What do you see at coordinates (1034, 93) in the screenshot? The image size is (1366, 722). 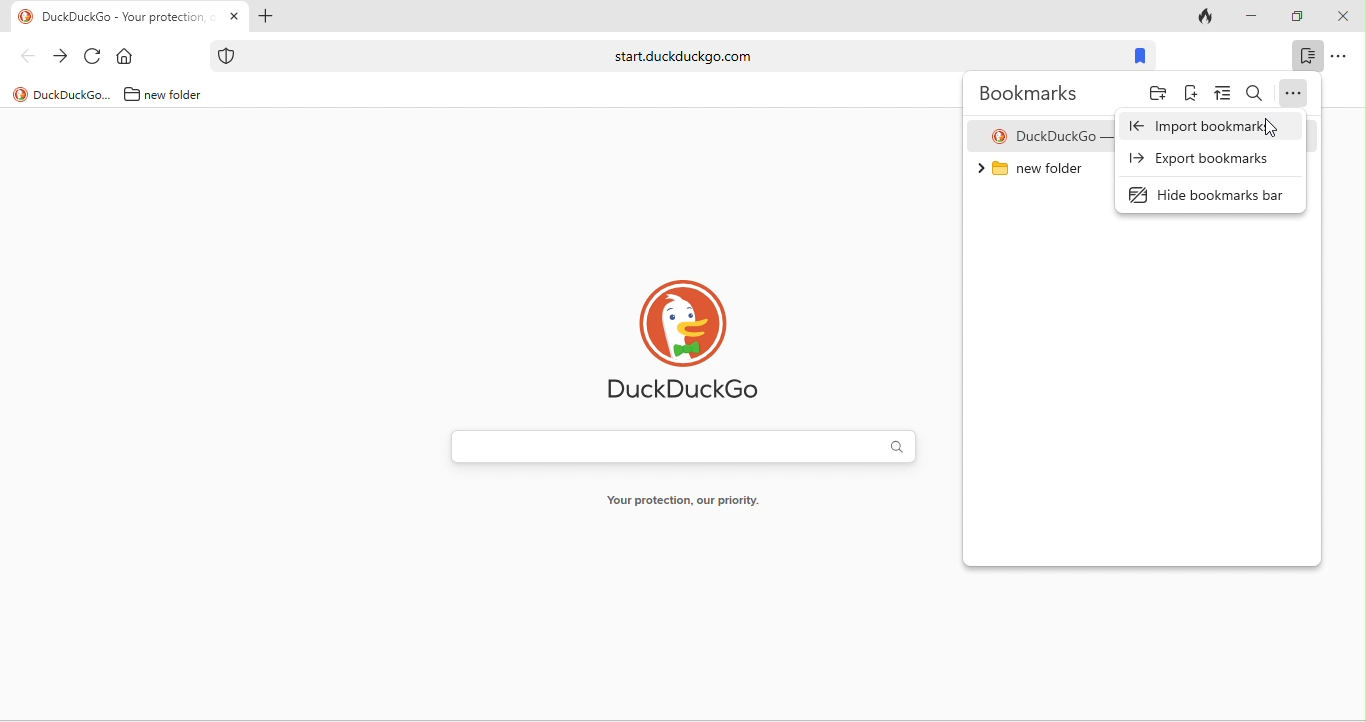 I see `bookmarks` at bounding box center [1034, 93].